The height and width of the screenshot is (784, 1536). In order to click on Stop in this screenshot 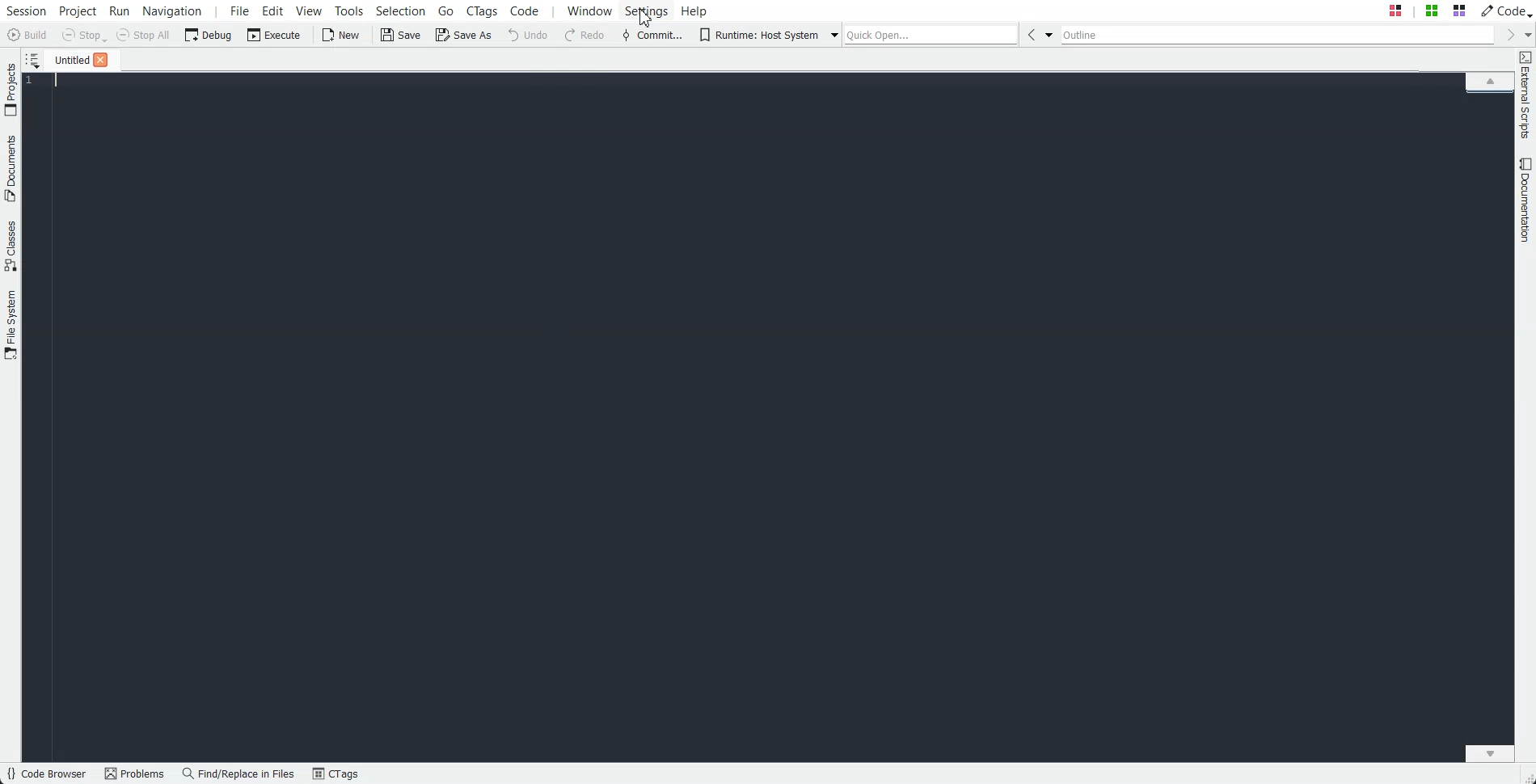, I will do `click(84, 36)`.